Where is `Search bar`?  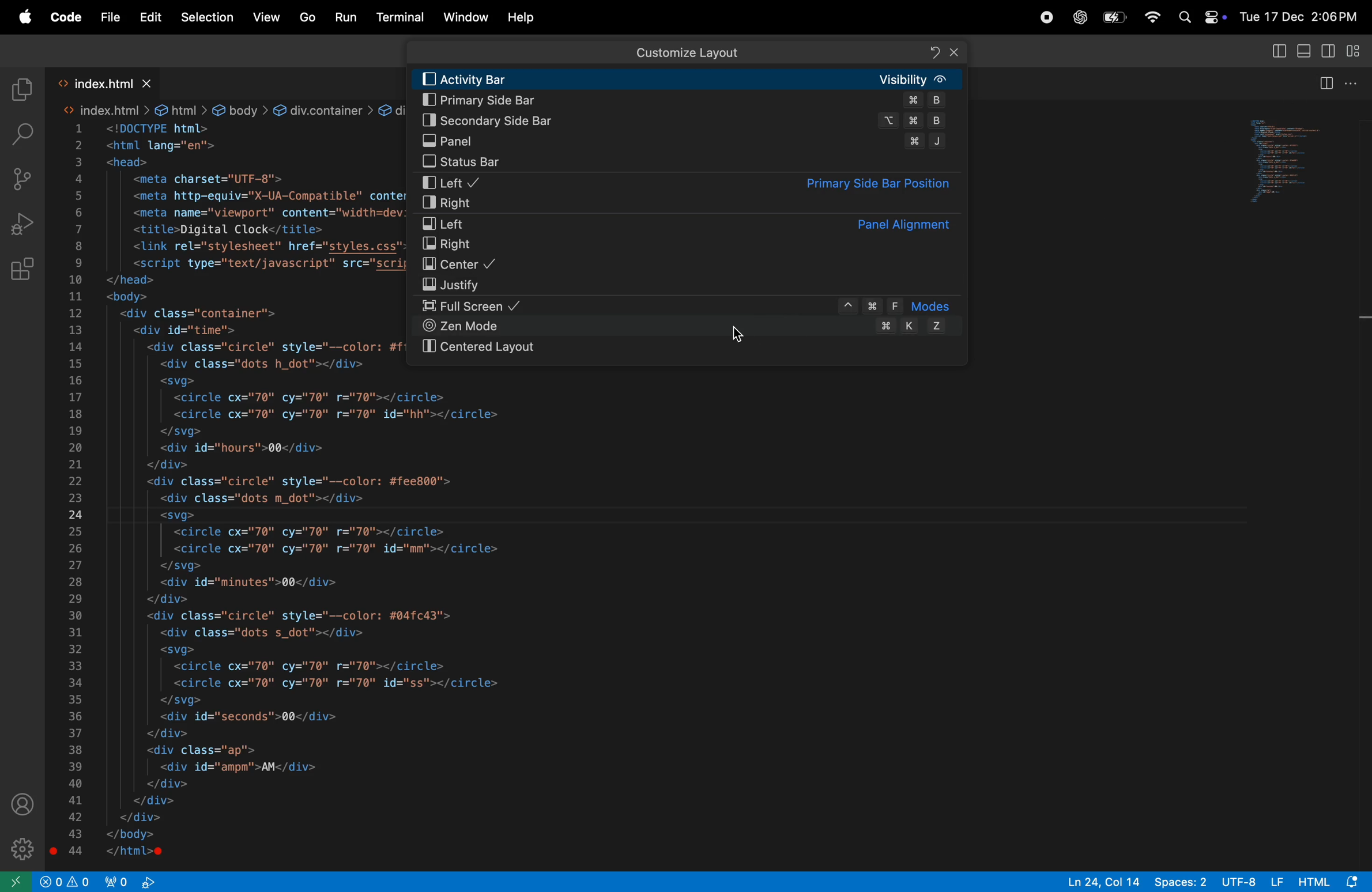
Search bar is located at coordinates (689, 52).